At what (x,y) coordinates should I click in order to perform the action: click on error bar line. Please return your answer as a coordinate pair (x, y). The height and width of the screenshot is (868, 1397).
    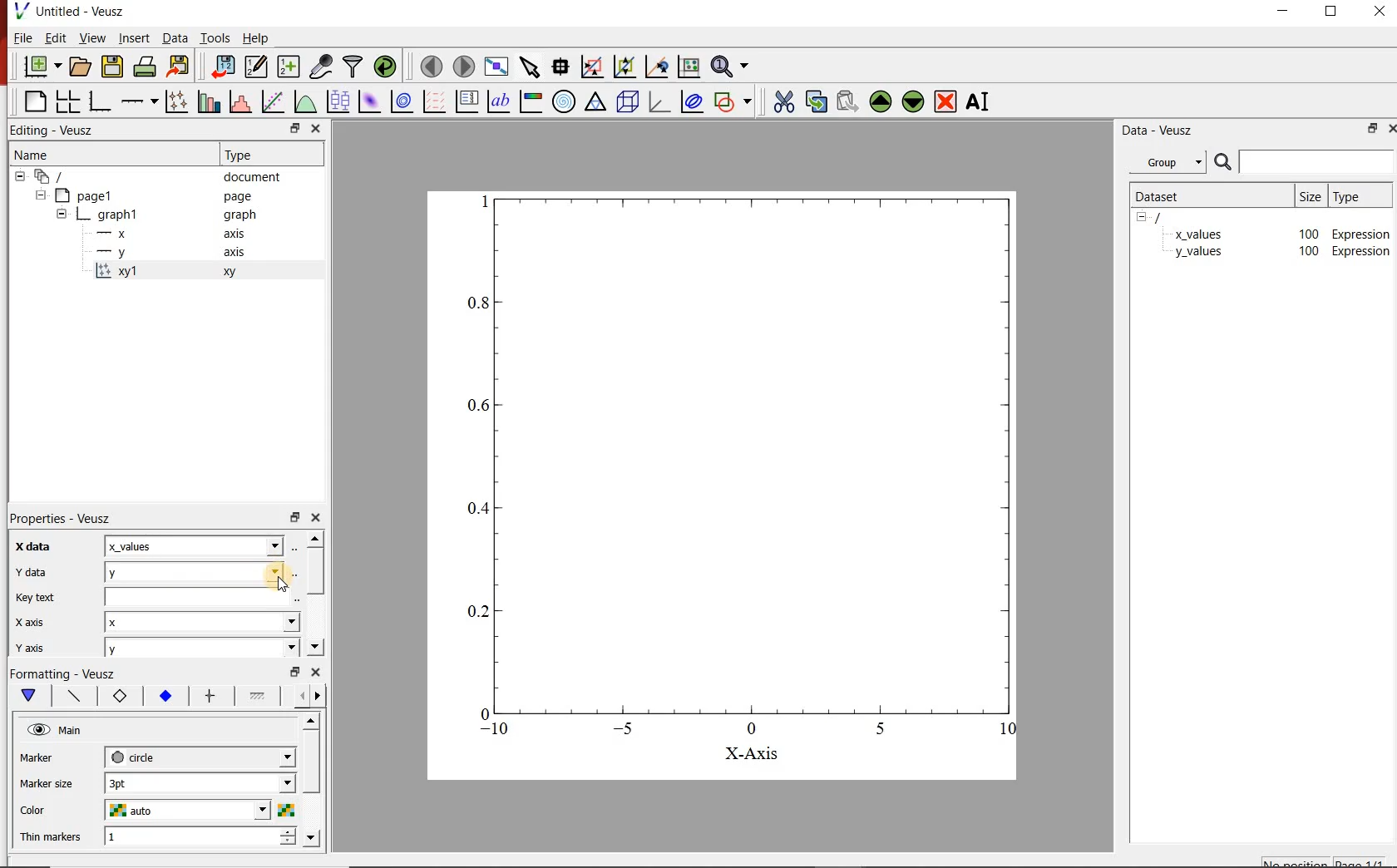
    Looking at the image, I should click on (214, 697).